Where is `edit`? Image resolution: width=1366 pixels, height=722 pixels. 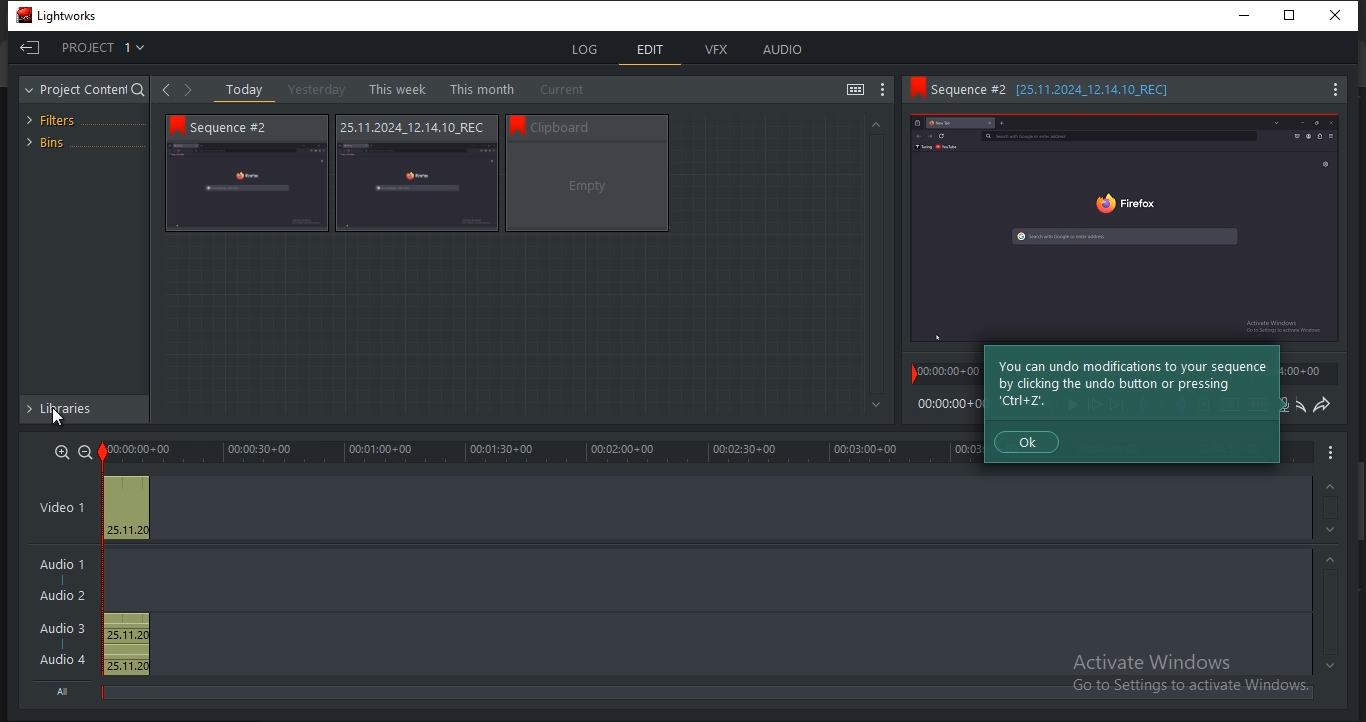
edit is located at coordinates (653, 48).